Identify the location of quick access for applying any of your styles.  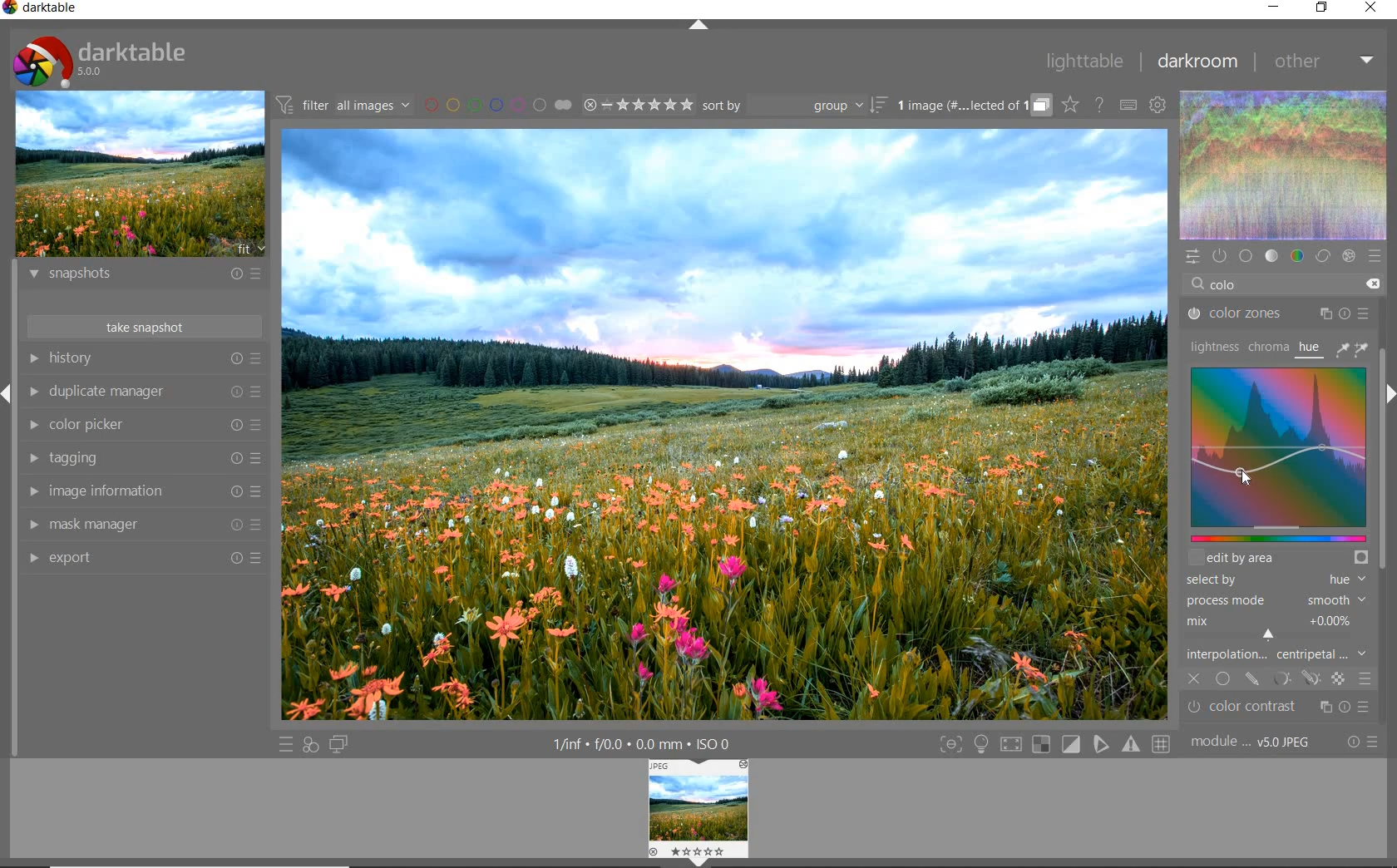
(311, 745).